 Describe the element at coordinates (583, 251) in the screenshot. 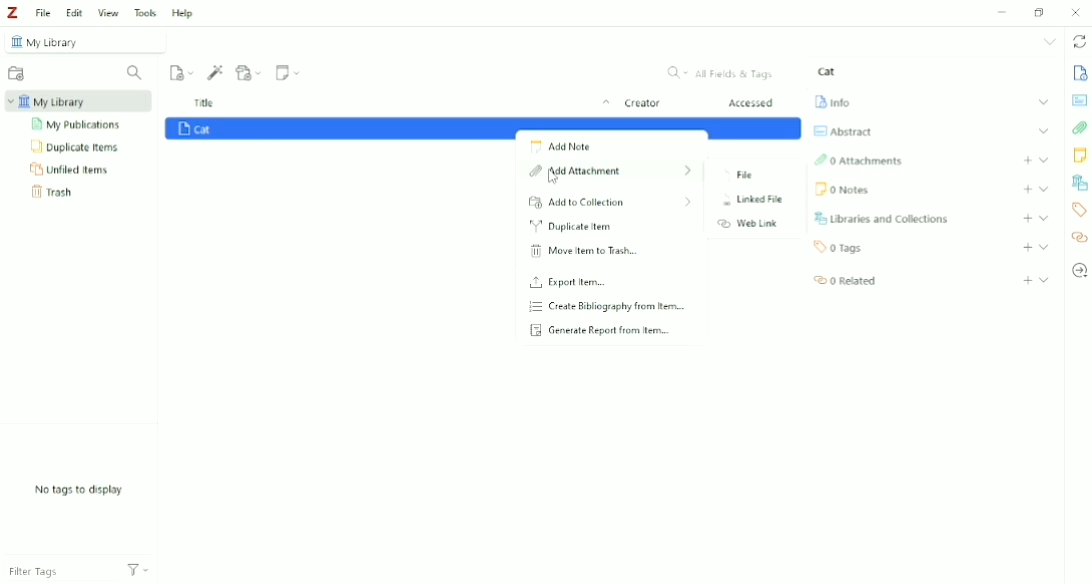

I see `Move Item to Trash` at that location.